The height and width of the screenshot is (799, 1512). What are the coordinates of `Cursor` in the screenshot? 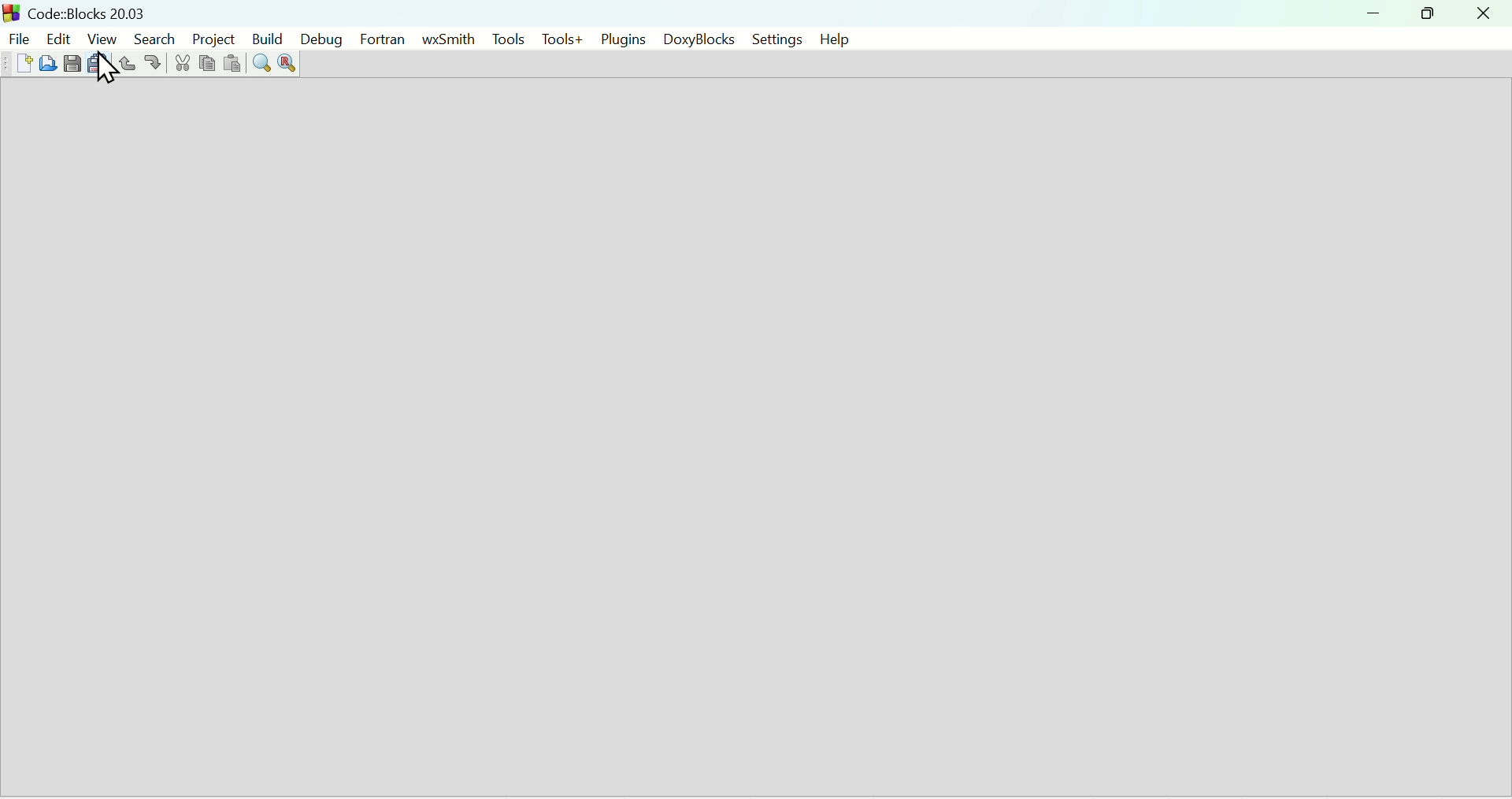 It's located at (112, 69).